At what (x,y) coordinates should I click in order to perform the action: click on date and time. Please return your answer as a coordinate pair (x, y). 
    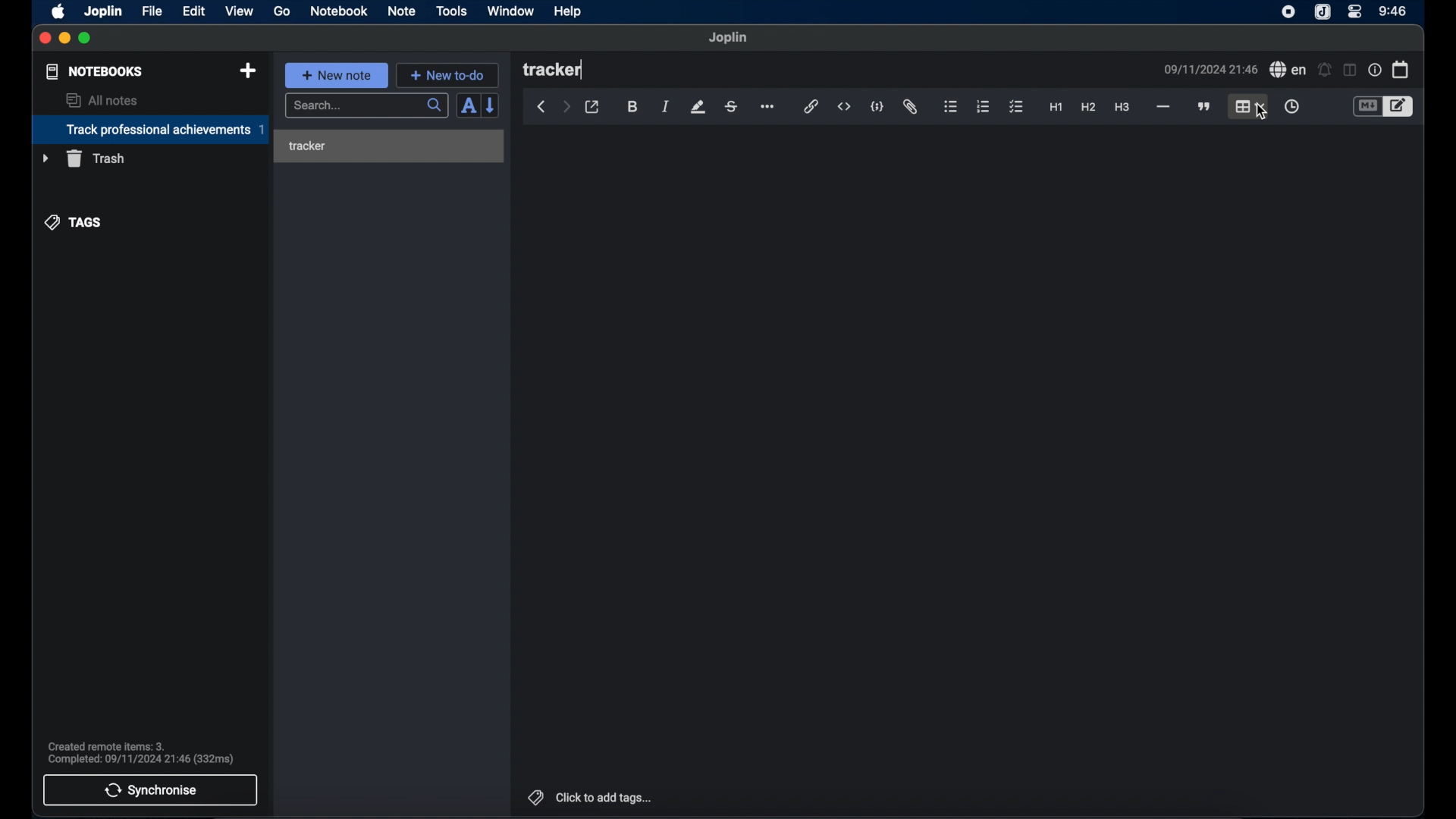
    Looking at the image, I should click on (1210, 69).